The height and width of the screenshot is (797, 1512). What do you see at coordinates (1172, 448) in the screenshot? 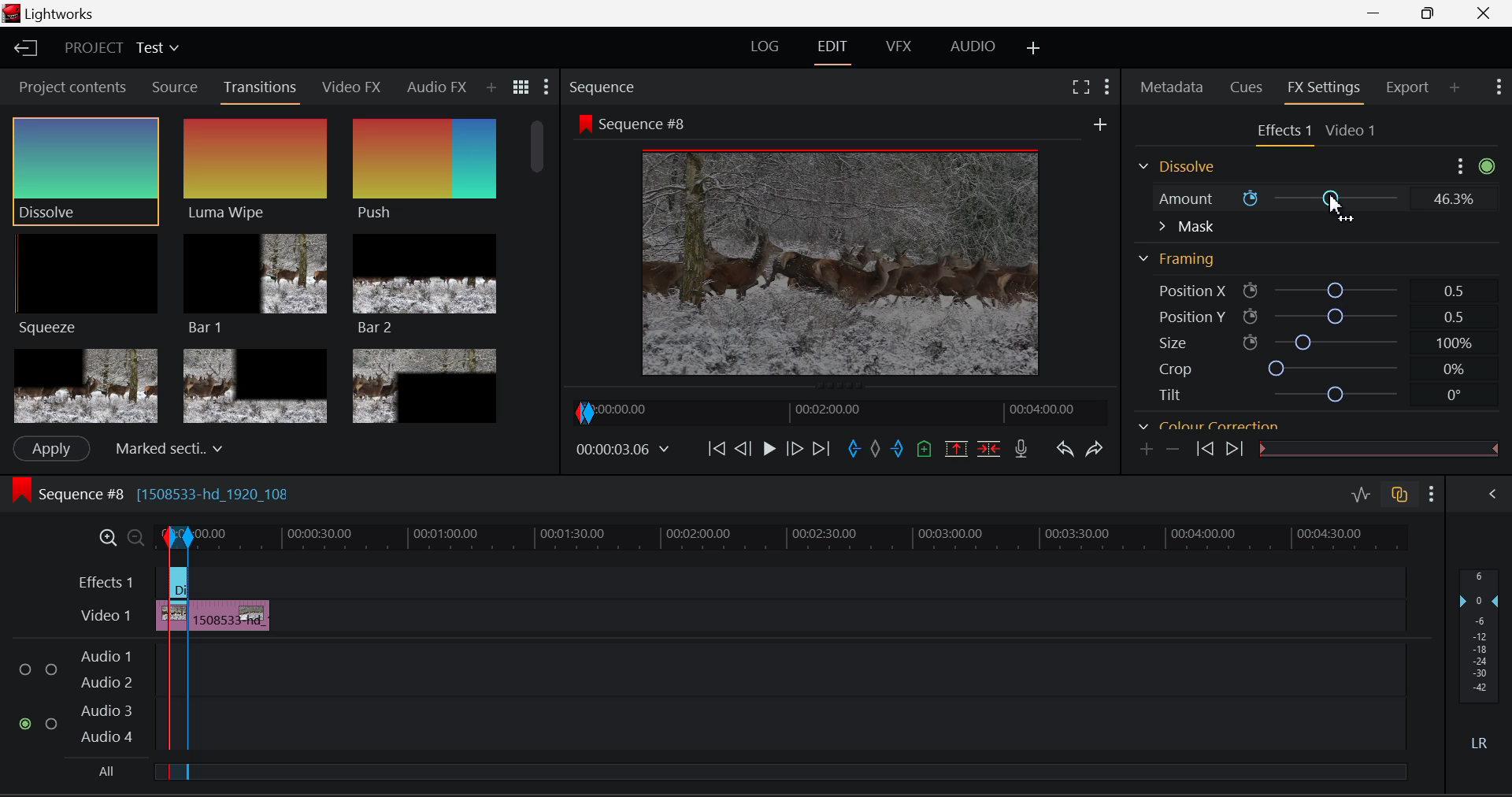
I see `Delete keyframes` at bounding box center [1172, 448].